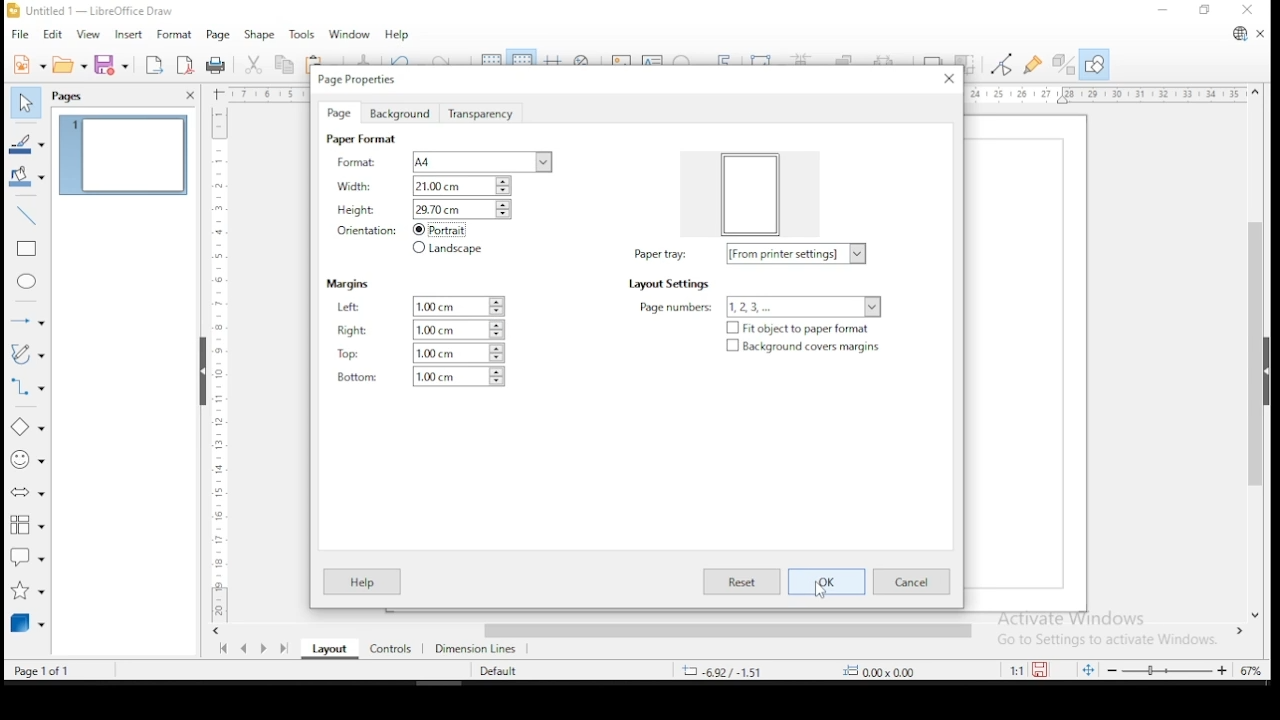 The image size is (1280, 720). Describe the element at coordinates (27, 355) in the screenshot. I see `curves and polygons` at that location.